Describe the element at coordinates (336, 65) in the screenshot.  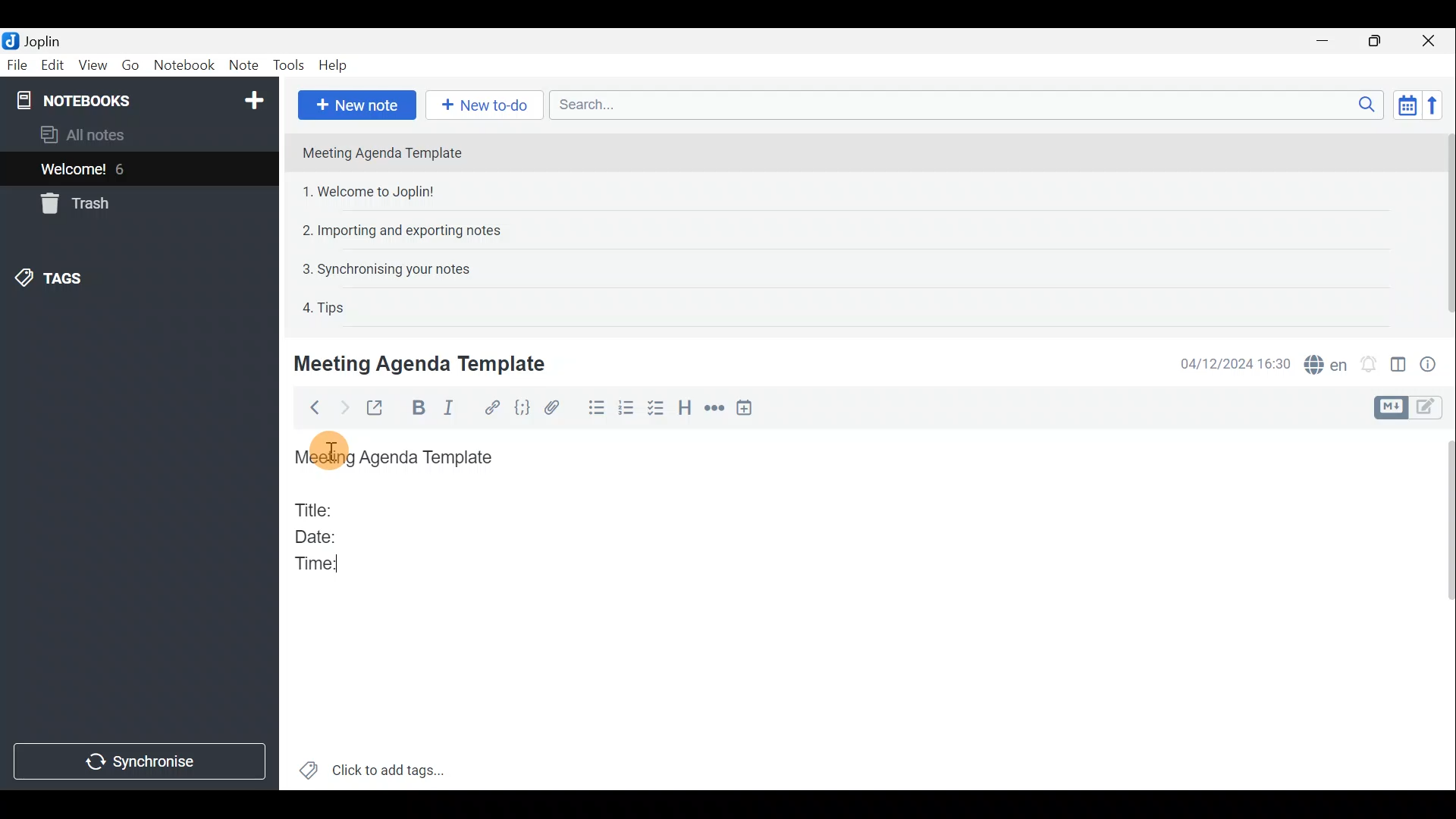
I see `Help` at that location.